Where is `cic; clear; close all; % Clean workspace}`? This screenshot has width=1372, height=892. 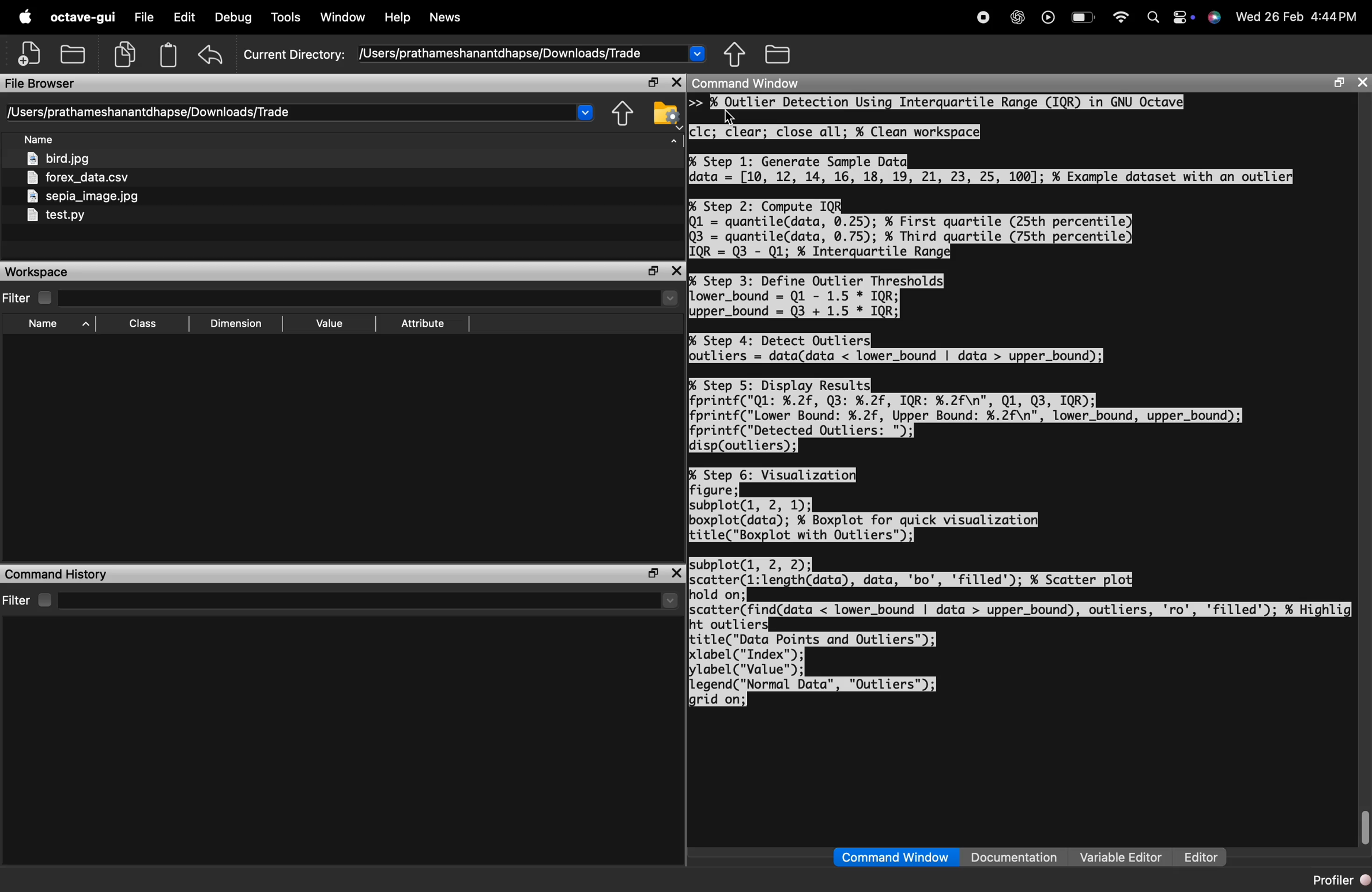 cic; clear; close all; % Clean workspace} is located at coordinates (835, 133).